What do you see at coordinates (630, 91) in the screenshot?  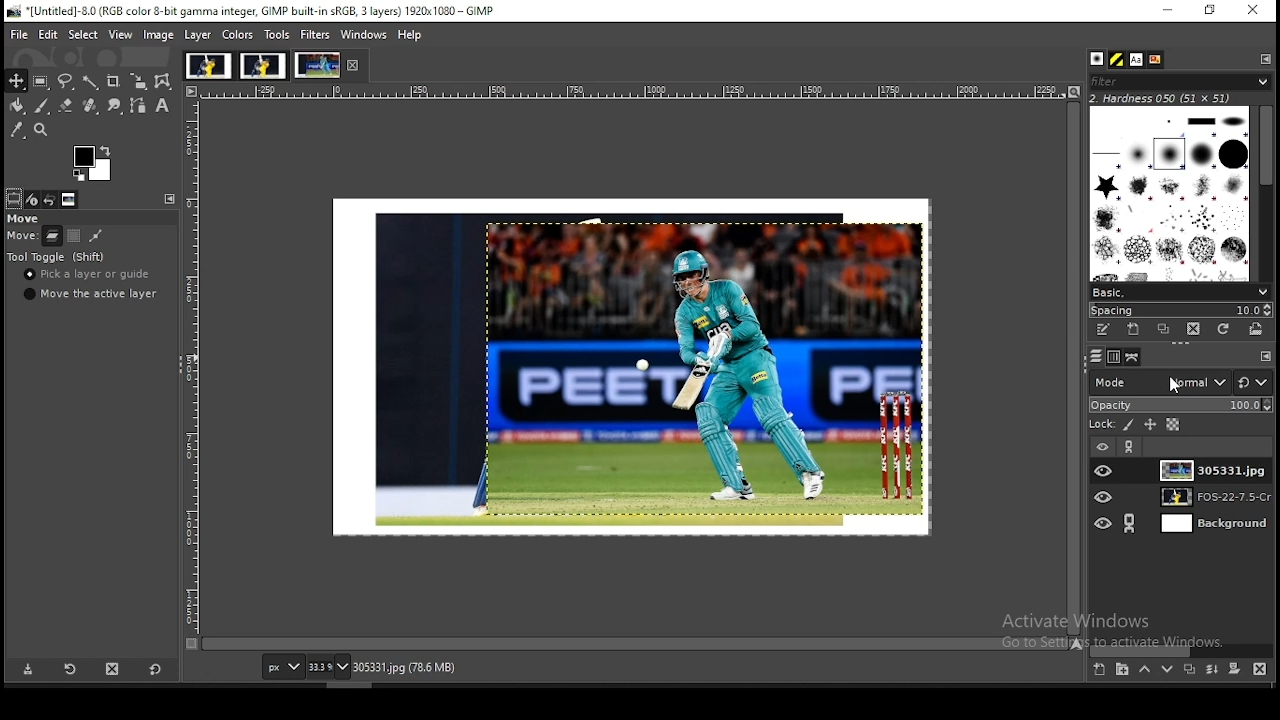 I see `horizontal scale` at bounding box center [630, 91].